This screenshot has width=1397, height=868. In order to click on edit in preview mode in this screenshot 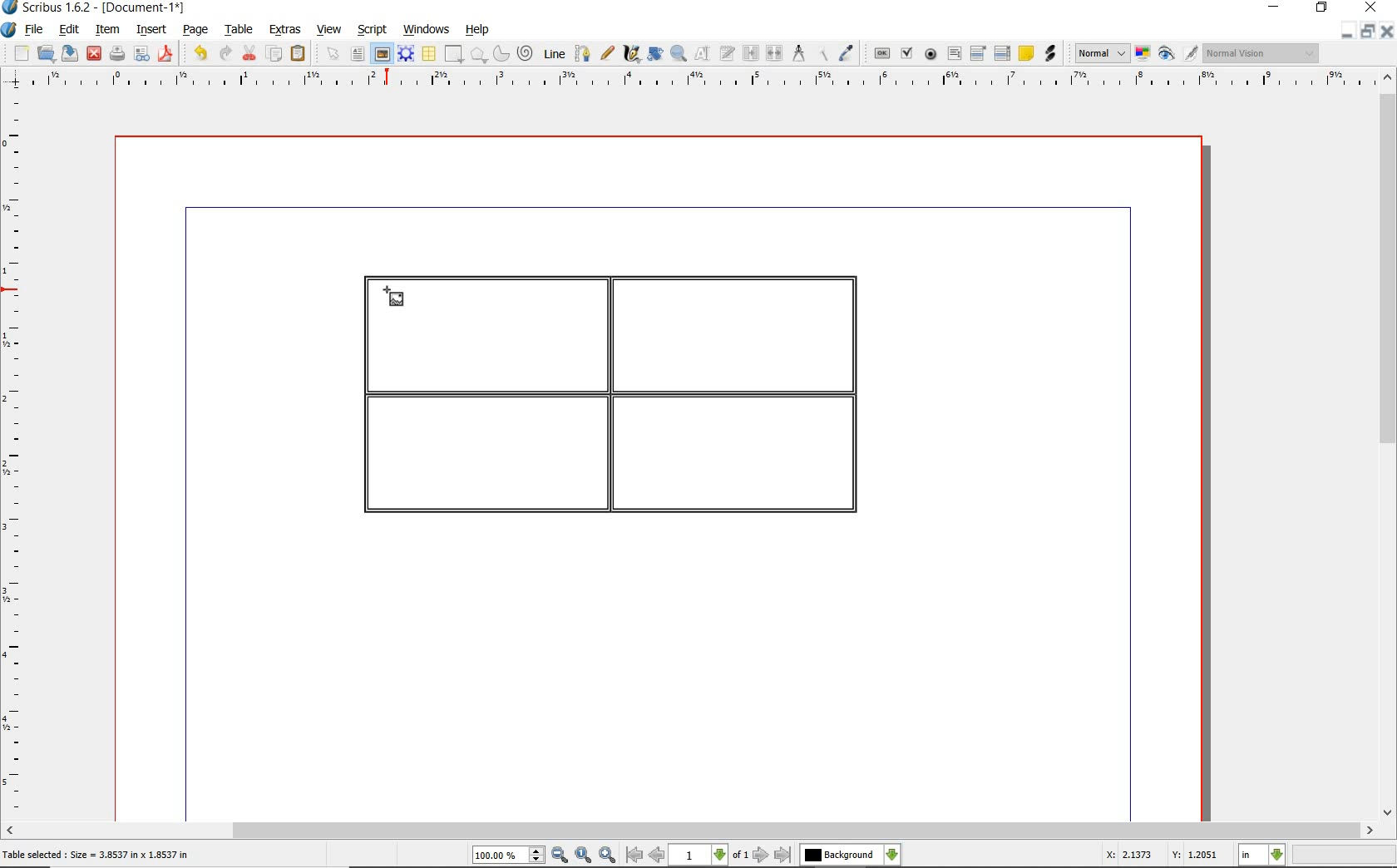, I will do `click(1190, 54)`.